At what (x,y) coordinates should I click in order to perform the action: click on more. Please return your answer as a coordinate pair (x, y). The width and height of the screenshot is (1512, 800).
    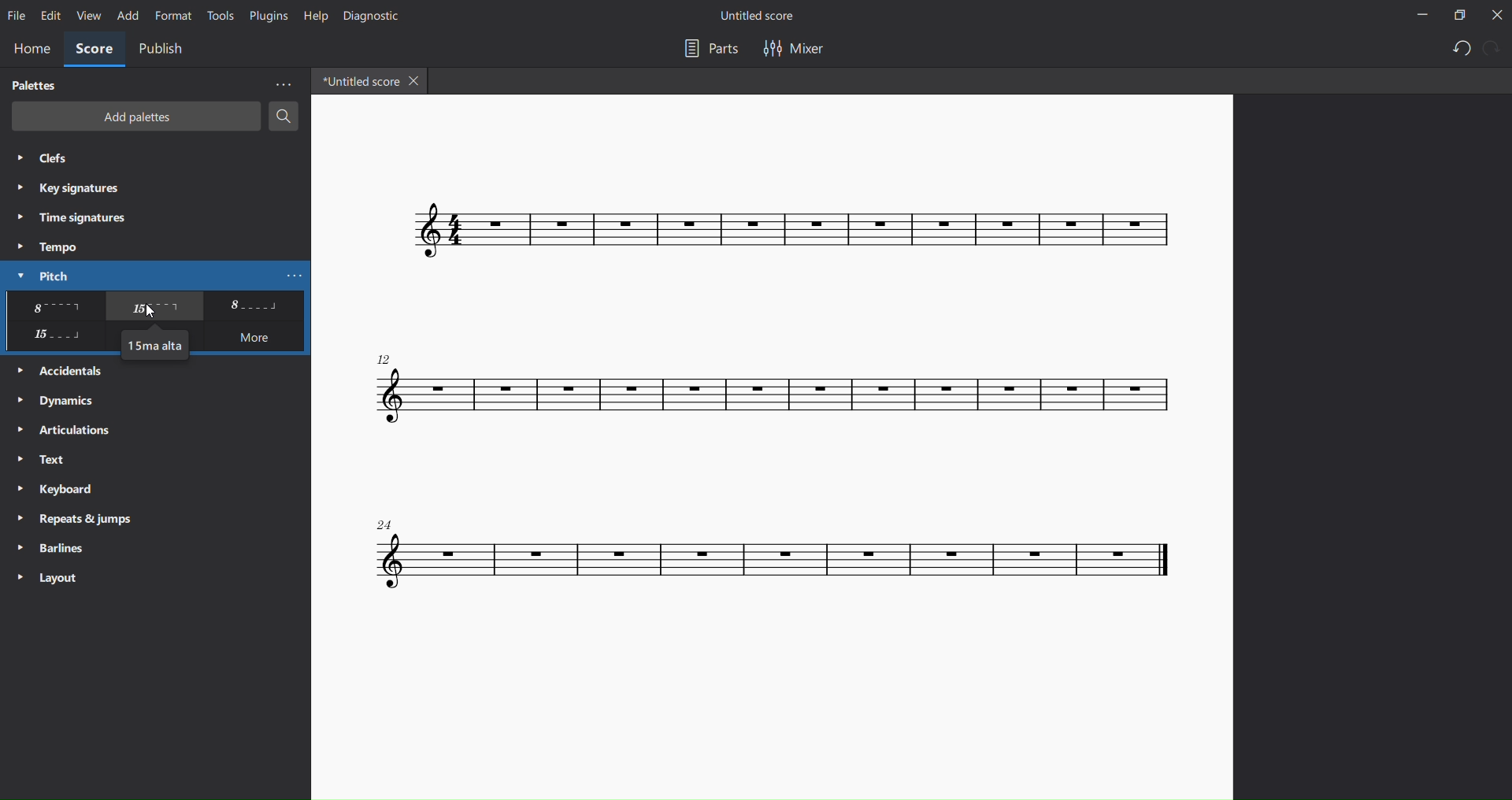
    Looking at the image, I should click on (257, 339).